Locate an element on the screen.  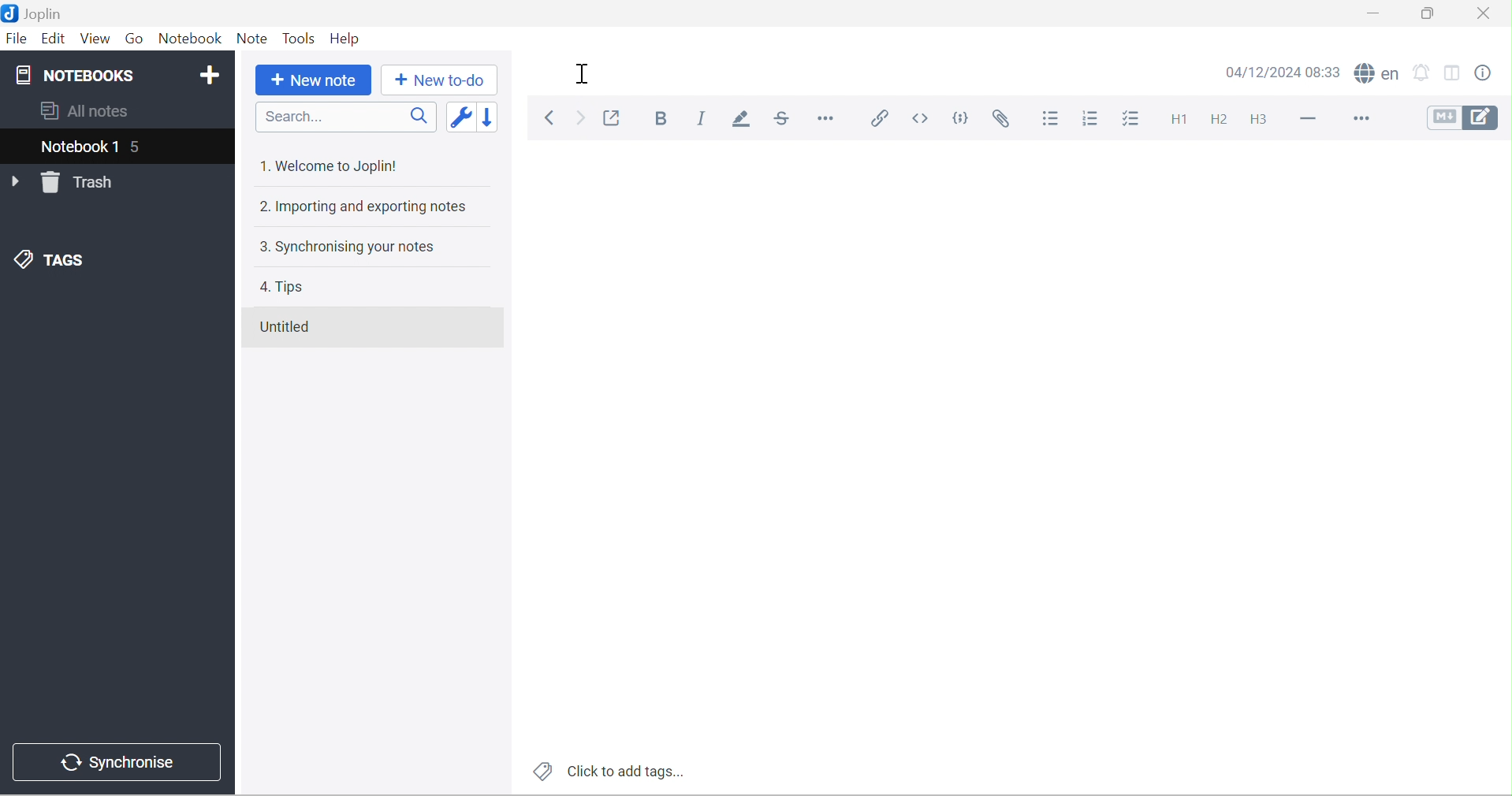
Attach file is located at coordinates (1005, 120).